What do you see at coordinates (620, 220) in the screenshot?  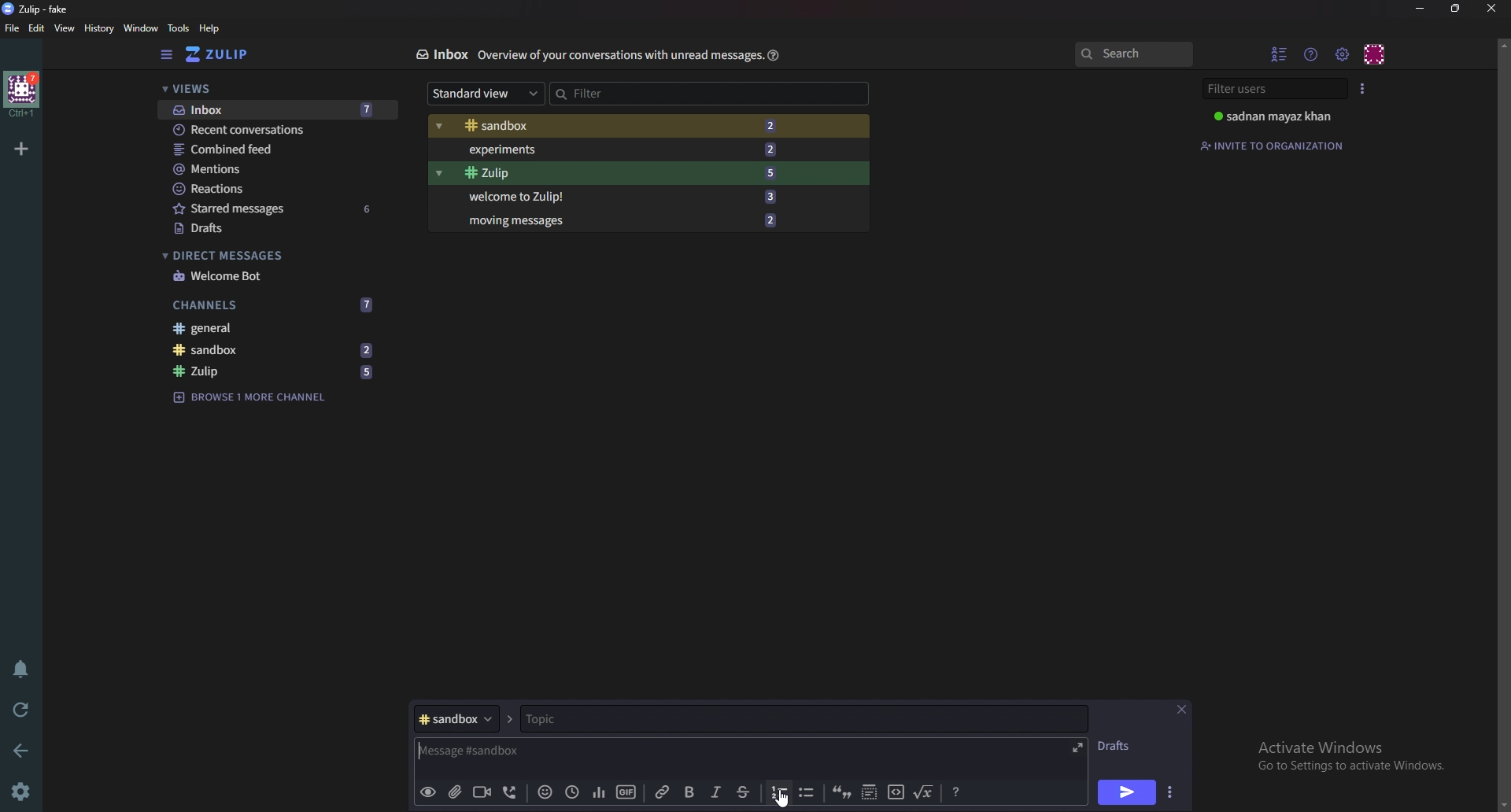 I see `Moving messages` at bounding box center [620, 220].